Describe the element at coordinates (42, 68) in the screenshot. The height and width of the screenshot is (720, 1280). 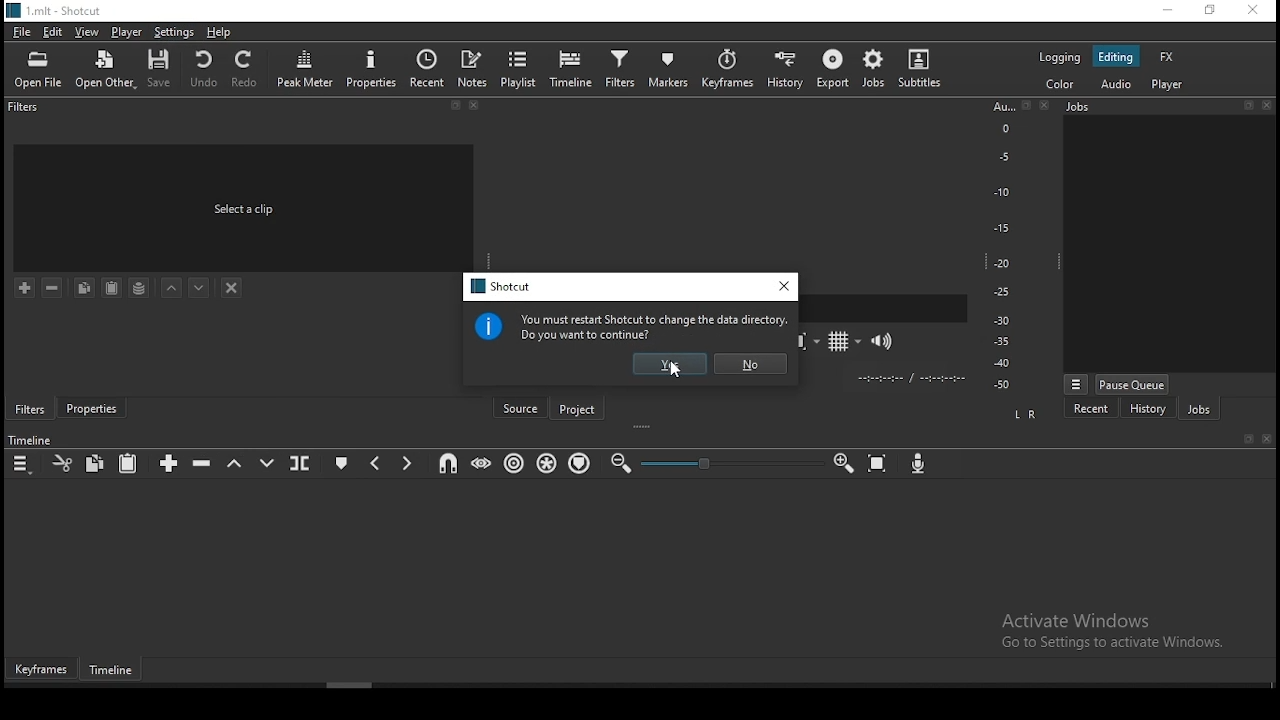
I see `open file` at that location.